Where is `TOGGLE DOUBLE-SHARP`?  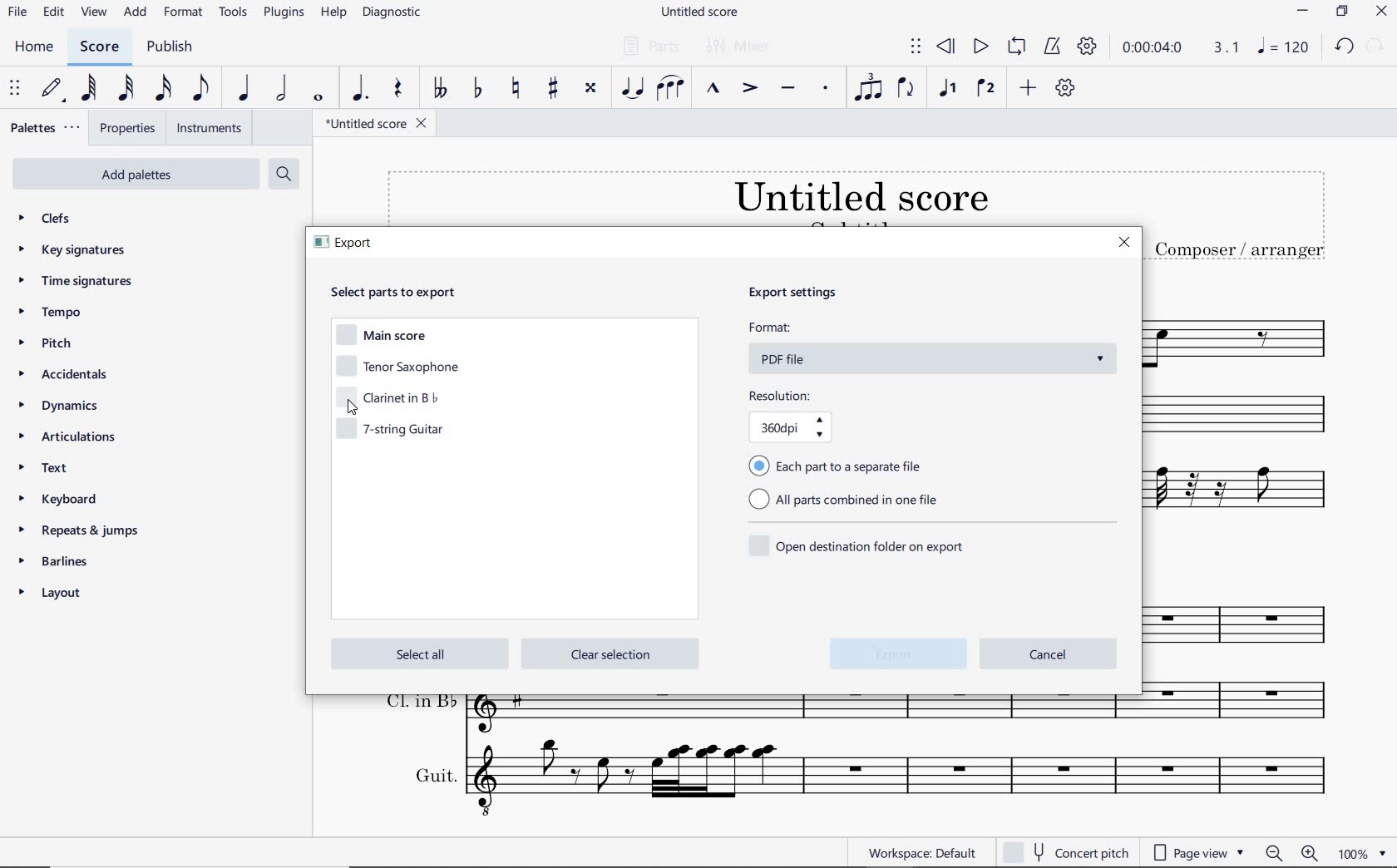
TOGGLE DOUBLE-SHARP is located at coordinates (590, 91).